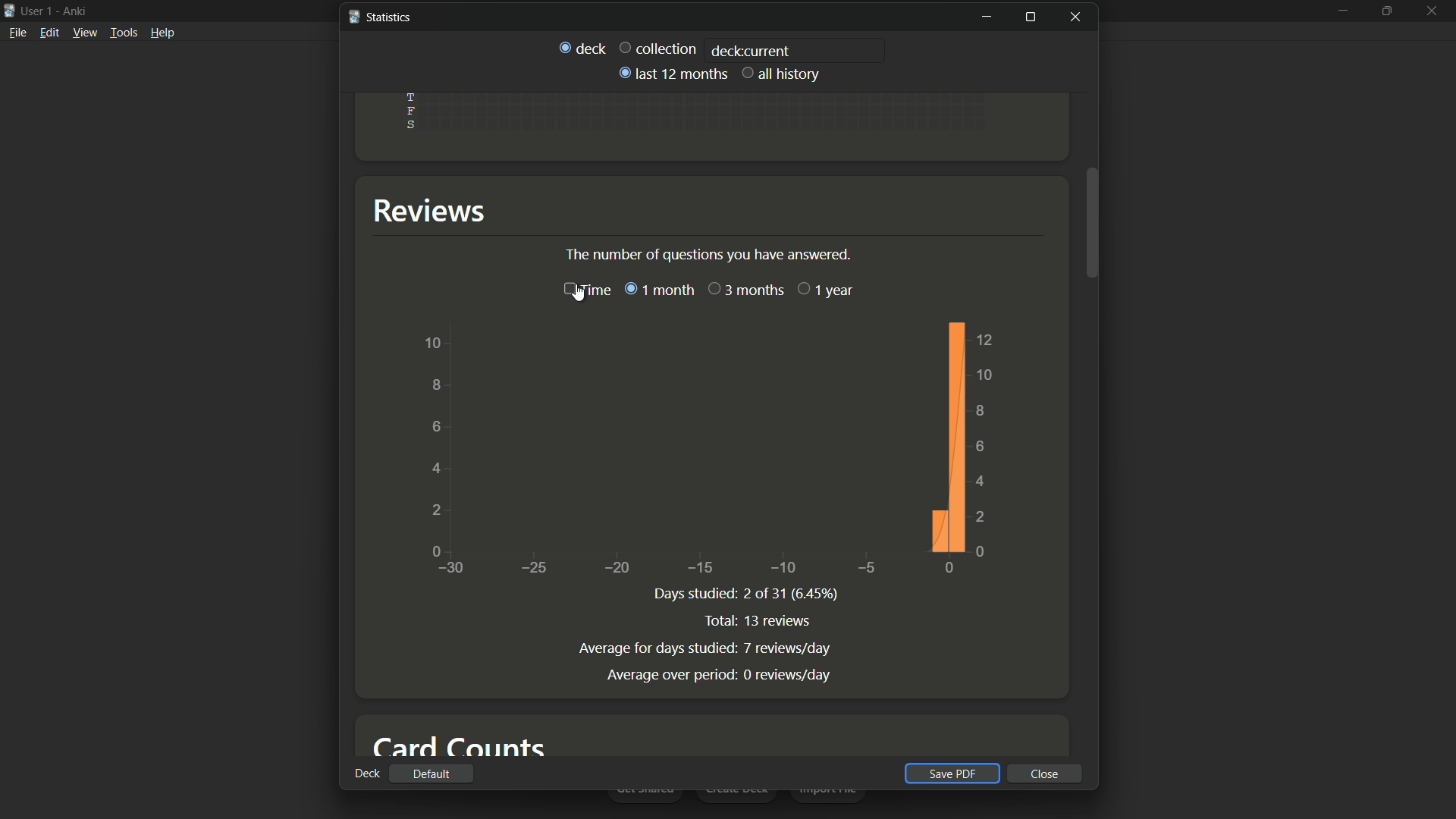 This screenshot has width=1456, height=819. Describe the element at coordinates (658, 289) in the screenshot. I see `1 months` at that location.